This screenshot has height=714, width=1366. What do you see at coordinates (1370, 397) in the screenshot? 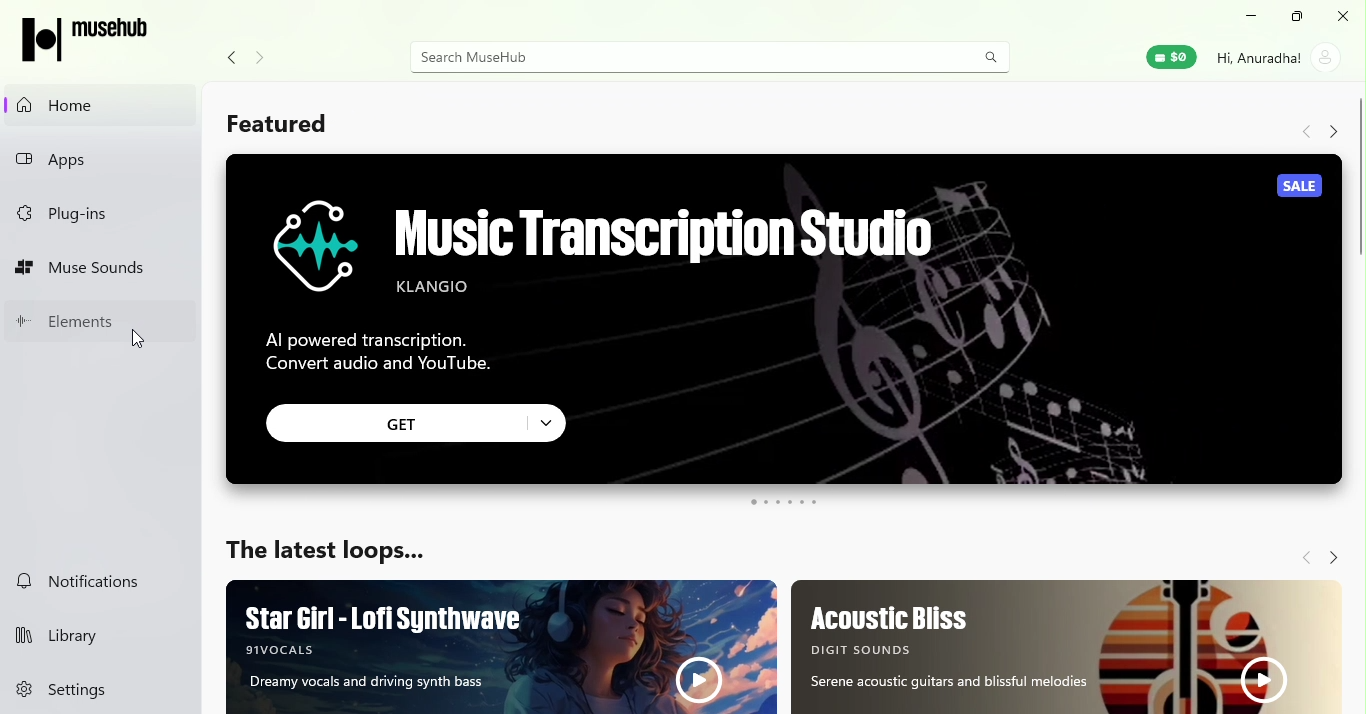
I see `Scroll bar` at bounding box center [1370, 397].